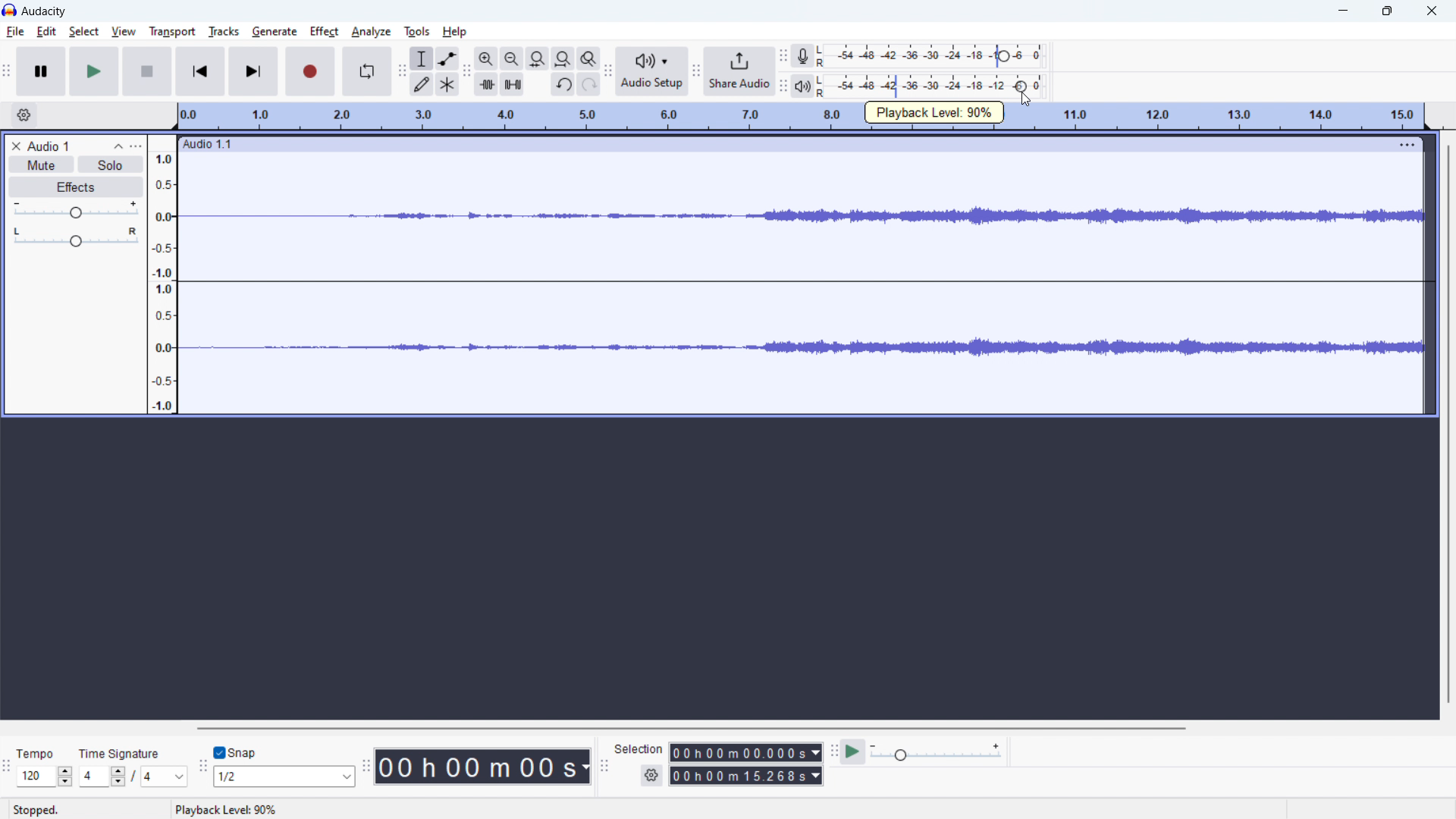 The width and height of the screenshot is (1456, 819). What do you see at coordinates (421, 83) in the screenshot?
I see `draw tool` at bounding box center [421, 83].